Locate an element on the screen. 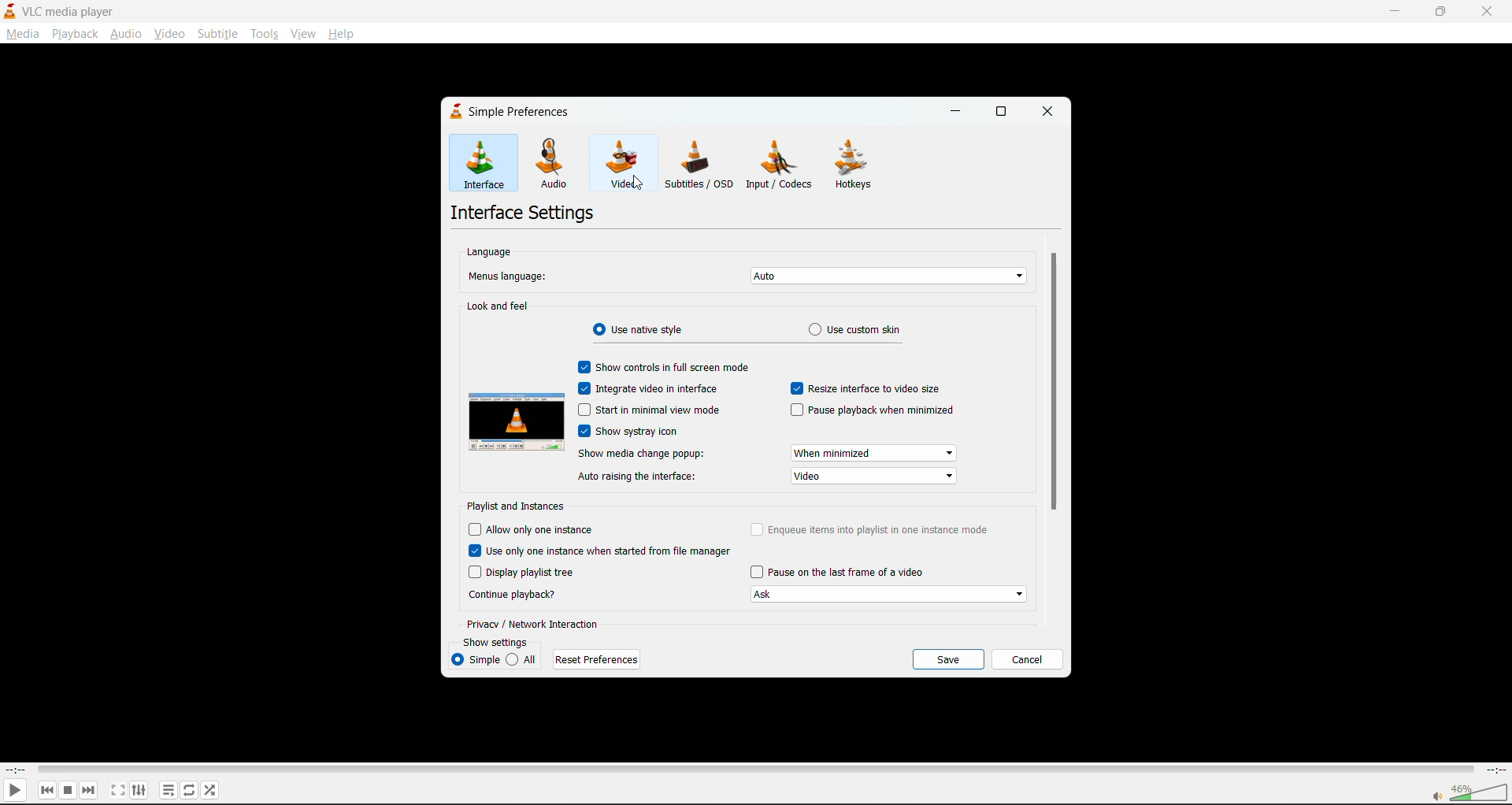 The image size is (1512, 805). input/codecs is located at coordinates (781, 165).